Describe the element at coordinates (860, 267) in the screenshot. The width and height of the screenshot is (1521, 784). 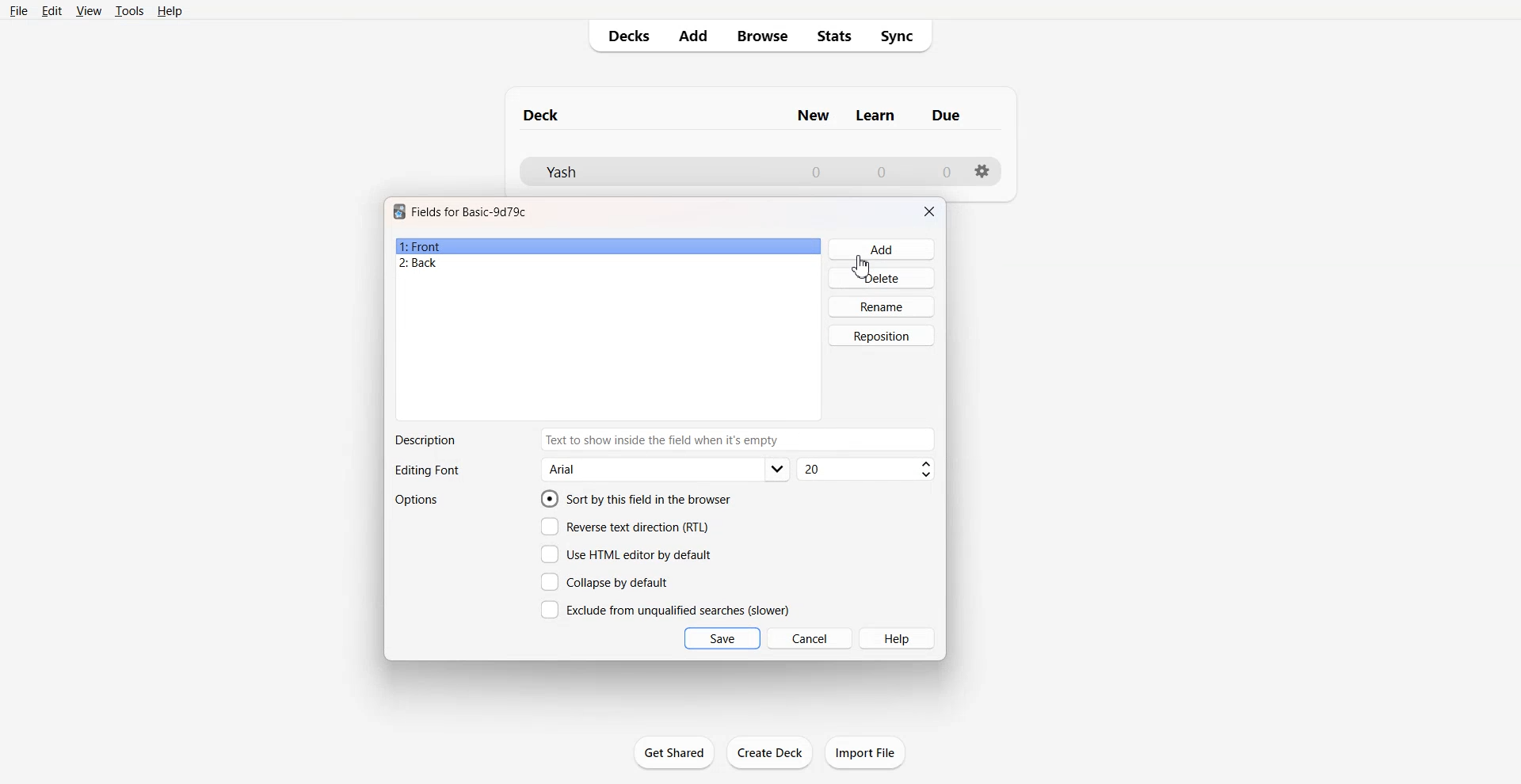
I see `Cursor` at that location.